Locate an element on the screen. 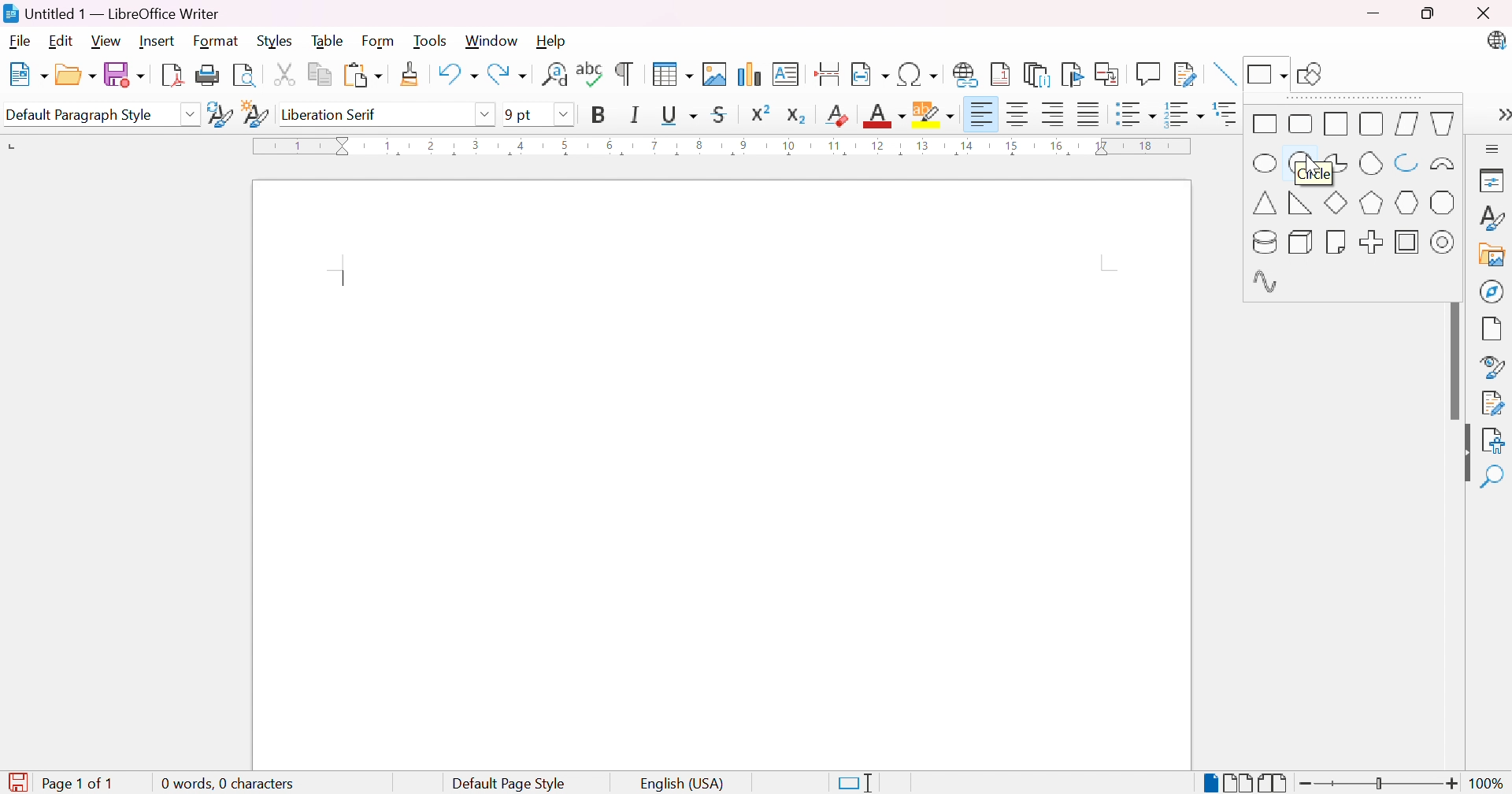 This screenshot has width=1512, height=794. Toggle print preview is located at coordinates (246, 76).